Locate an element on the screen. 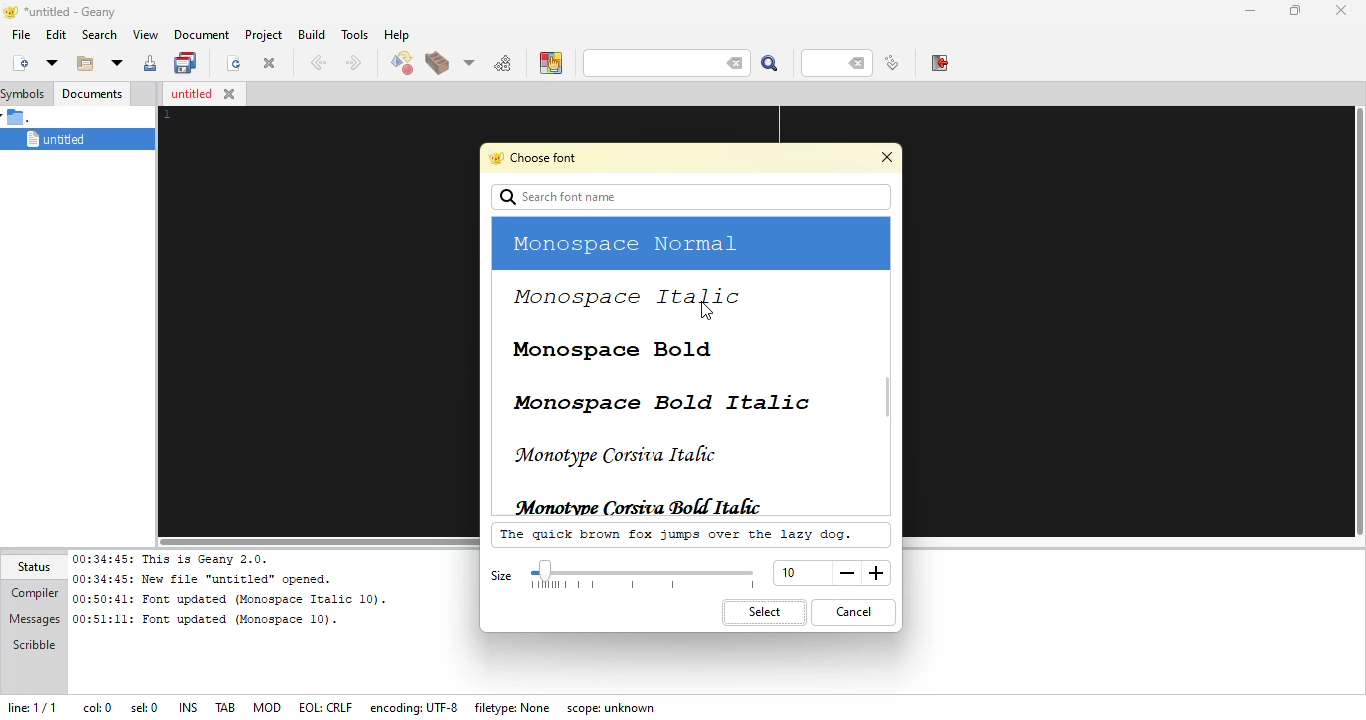 This screenshot has height=720, width=1366. color is located at coordinates (550, 63).